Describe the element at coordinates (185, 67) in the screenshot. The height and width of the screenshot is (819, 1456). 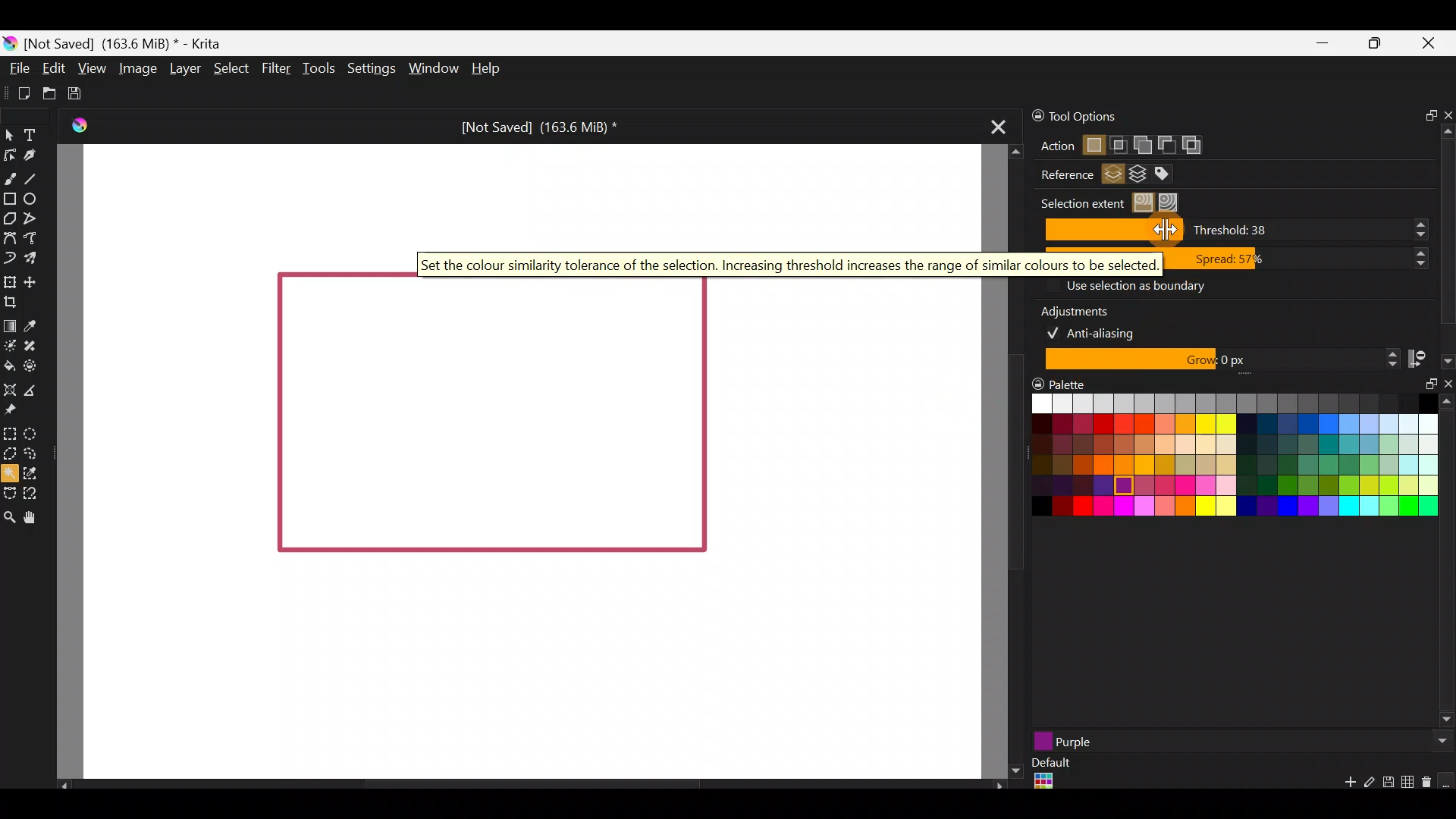
I see `Layer` at that location.